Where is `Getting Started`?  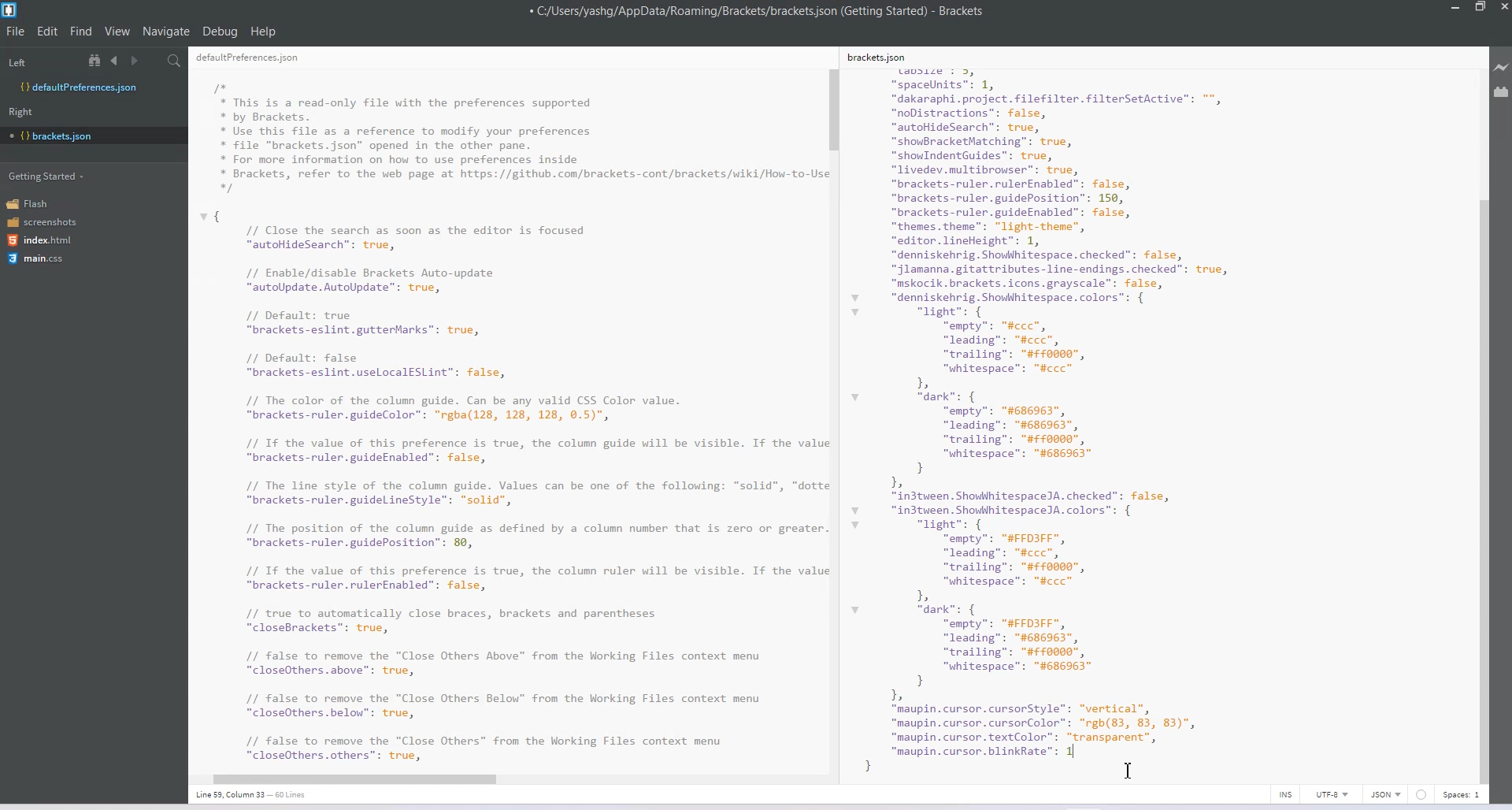 Getting Started is located at coordinates (48, 175).